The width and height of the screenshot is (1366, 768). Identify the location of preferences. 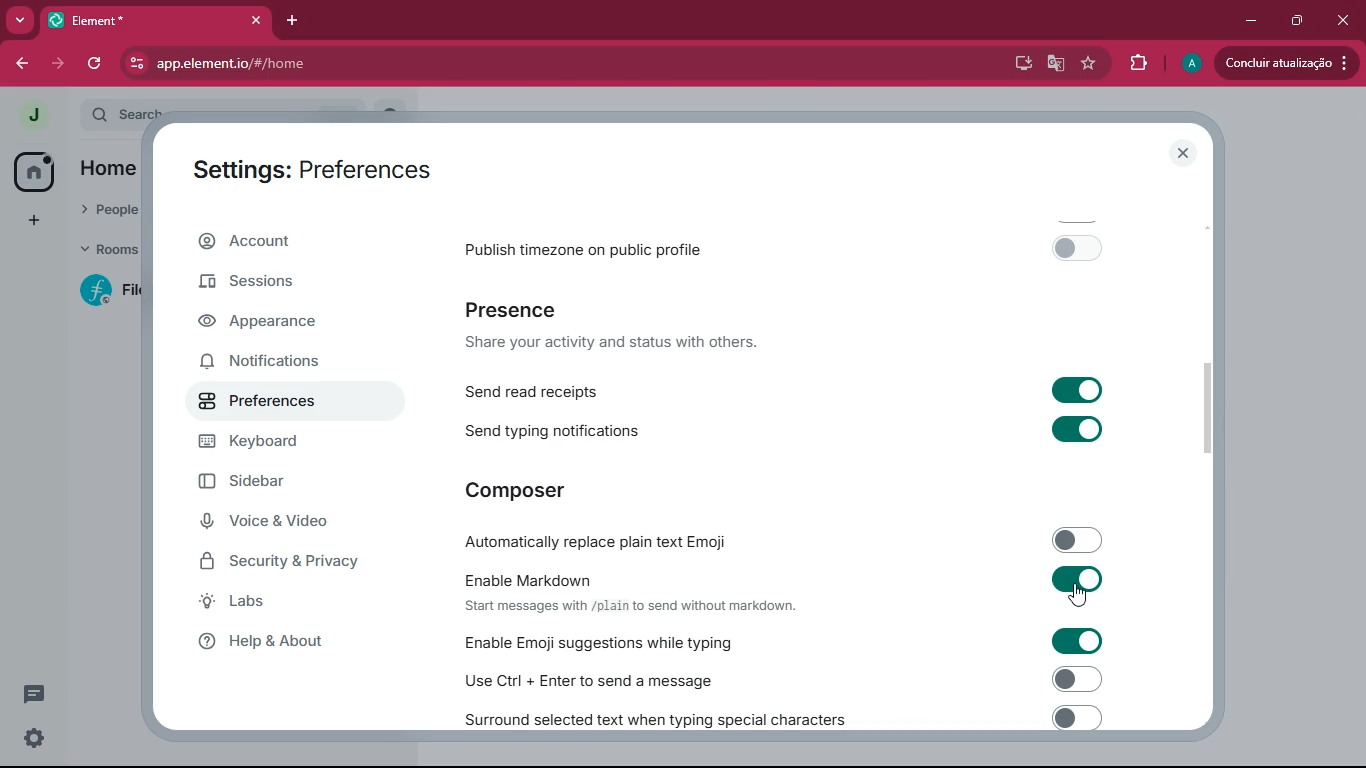
(273, 409).